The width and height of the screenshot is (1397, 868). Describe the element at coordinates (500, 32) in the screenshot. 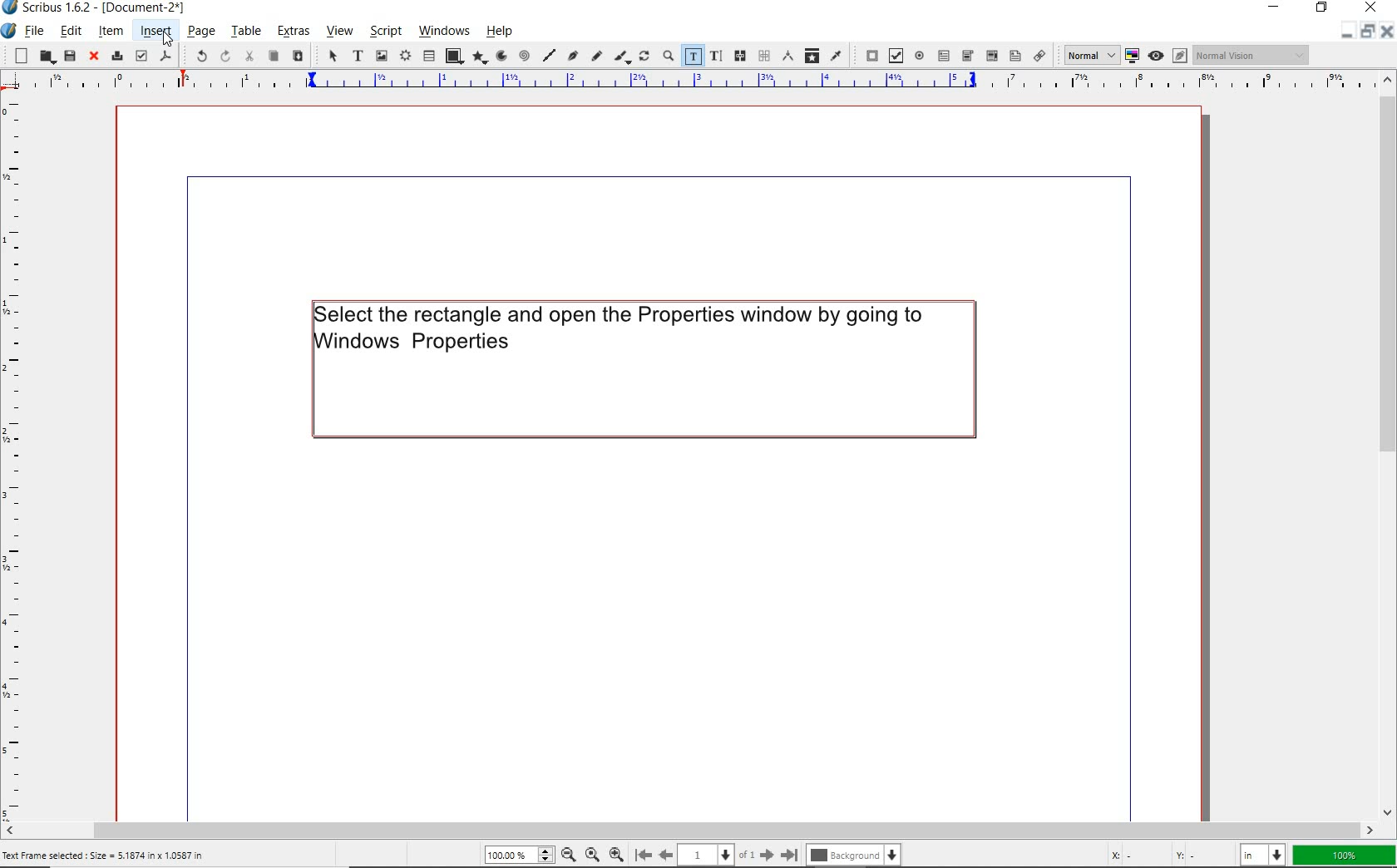

I see `help` at that location.